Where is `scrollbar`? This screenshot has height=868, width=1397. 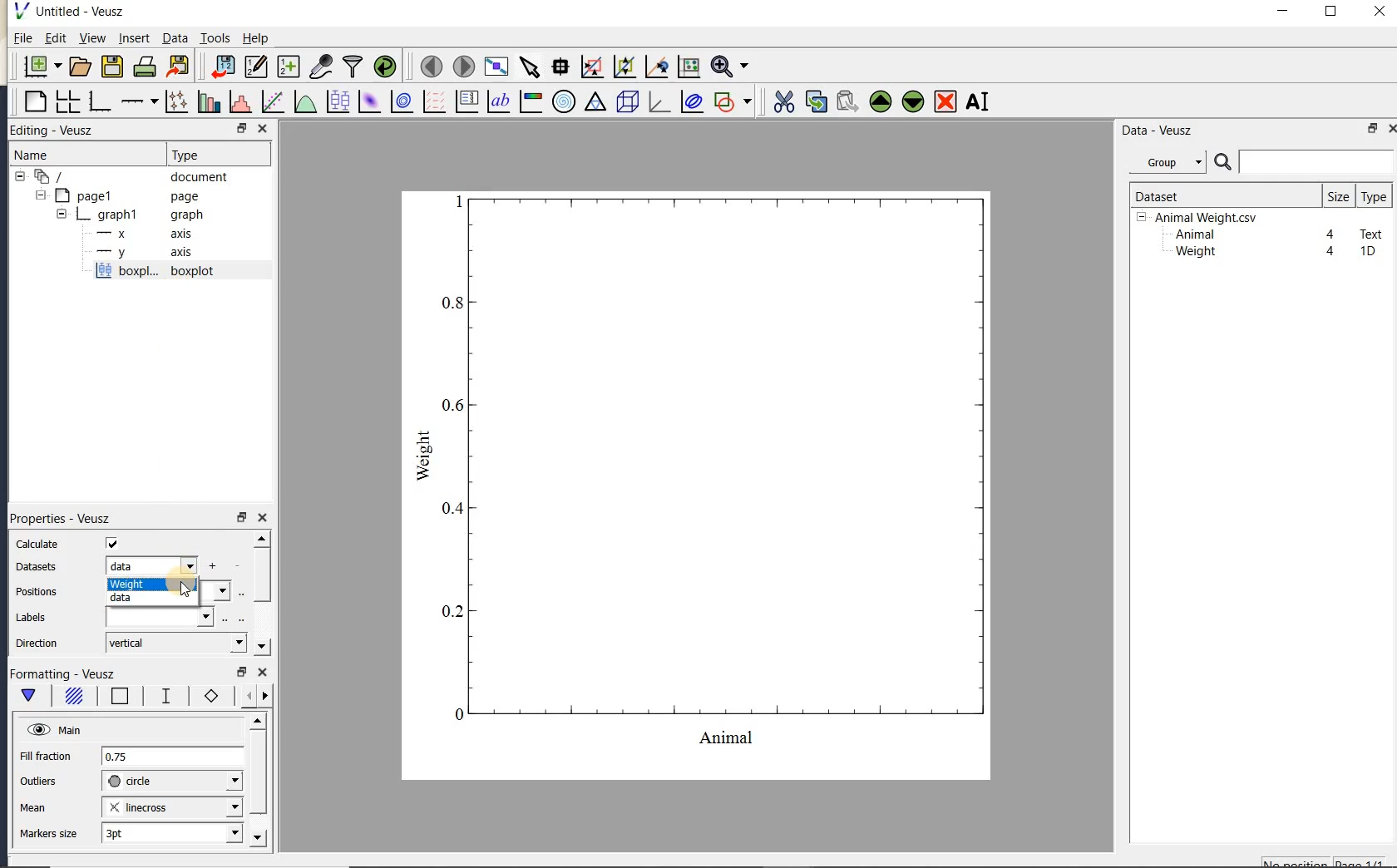
scrollbar is located at coordinates (261, 594).